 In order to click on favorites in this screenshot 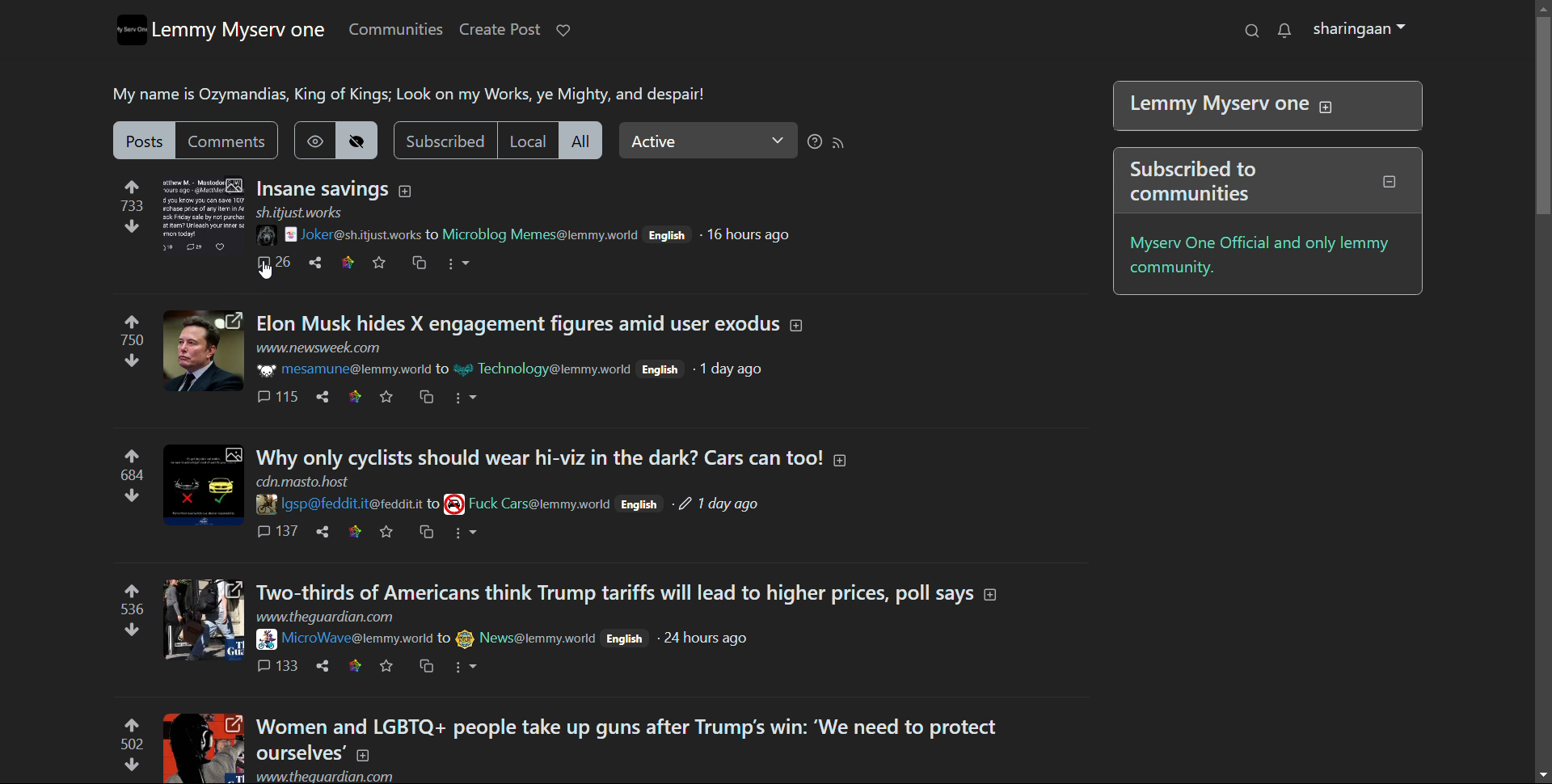, I will do `click(379, 263)`.